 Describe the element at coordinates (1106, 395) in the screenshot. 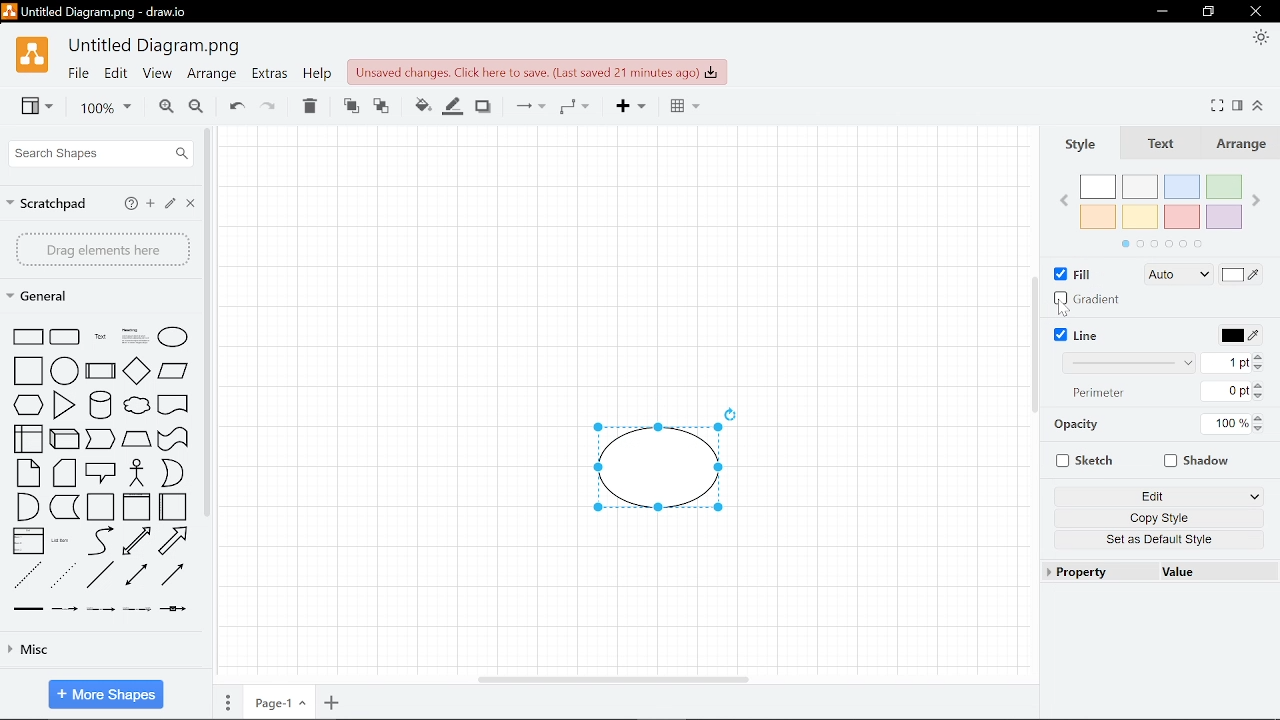

I see `Perimeter` at that location.